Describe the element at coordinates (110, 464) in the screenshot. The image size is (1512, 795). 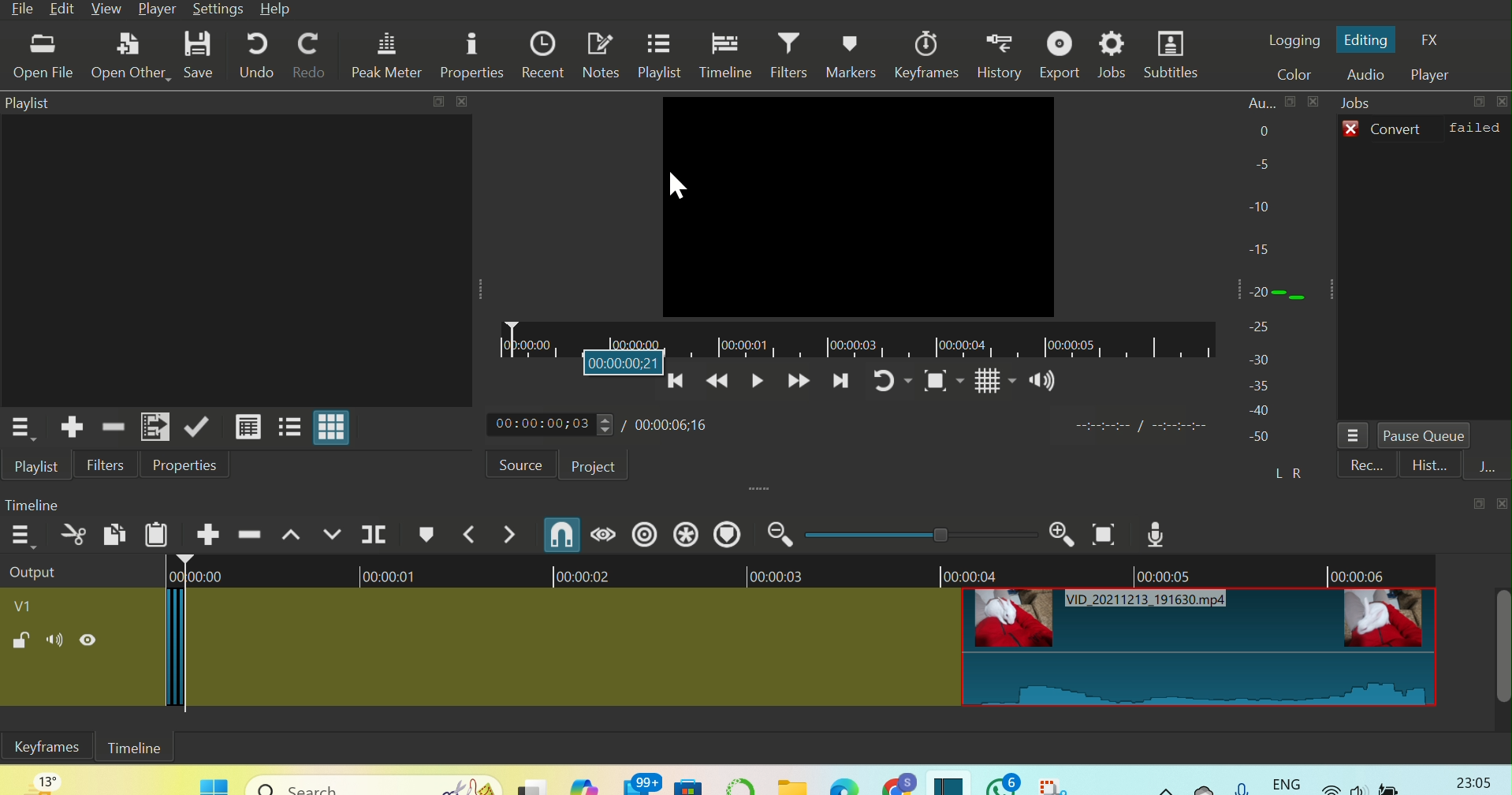
I see `Filters` at that location.